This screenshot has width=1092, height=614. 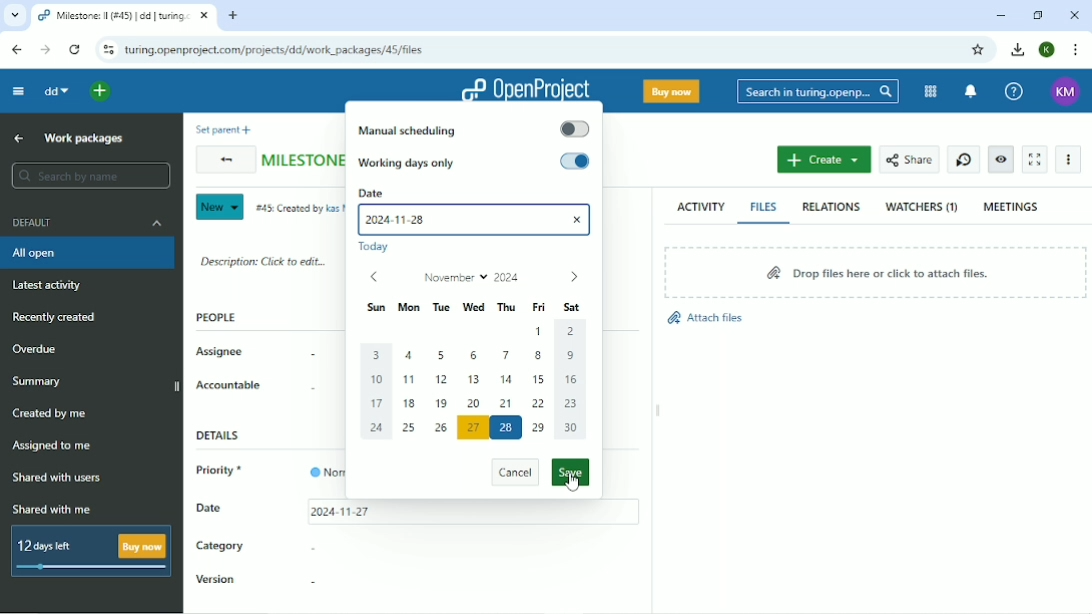 I want to click on Search by name, so click(x=90, y=175).